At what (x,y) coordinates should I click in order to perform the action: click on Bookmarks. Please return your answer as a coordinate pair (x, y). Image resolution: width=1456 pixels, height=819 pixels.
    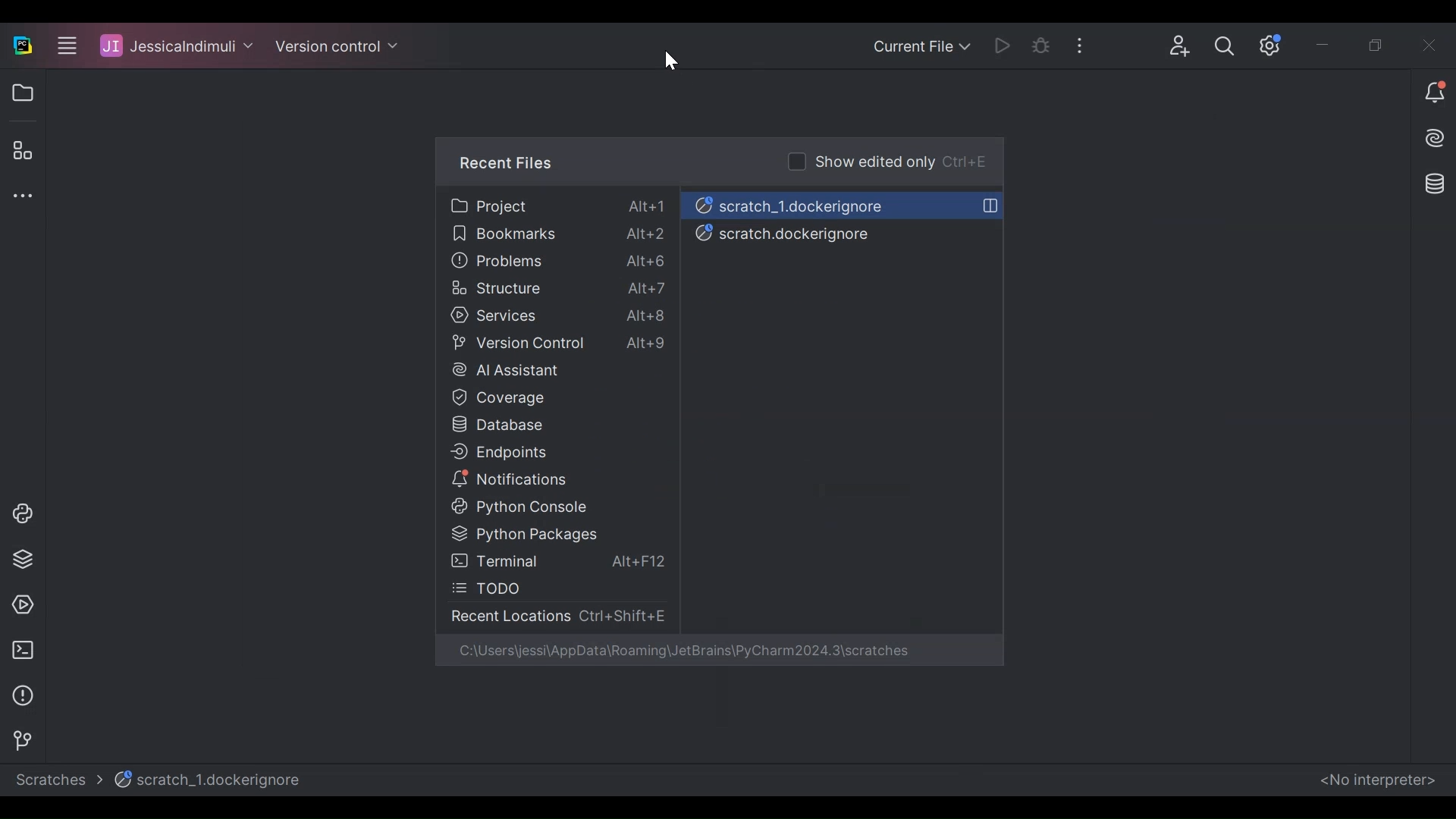
    Looking at the image, I should click on (558, 235).